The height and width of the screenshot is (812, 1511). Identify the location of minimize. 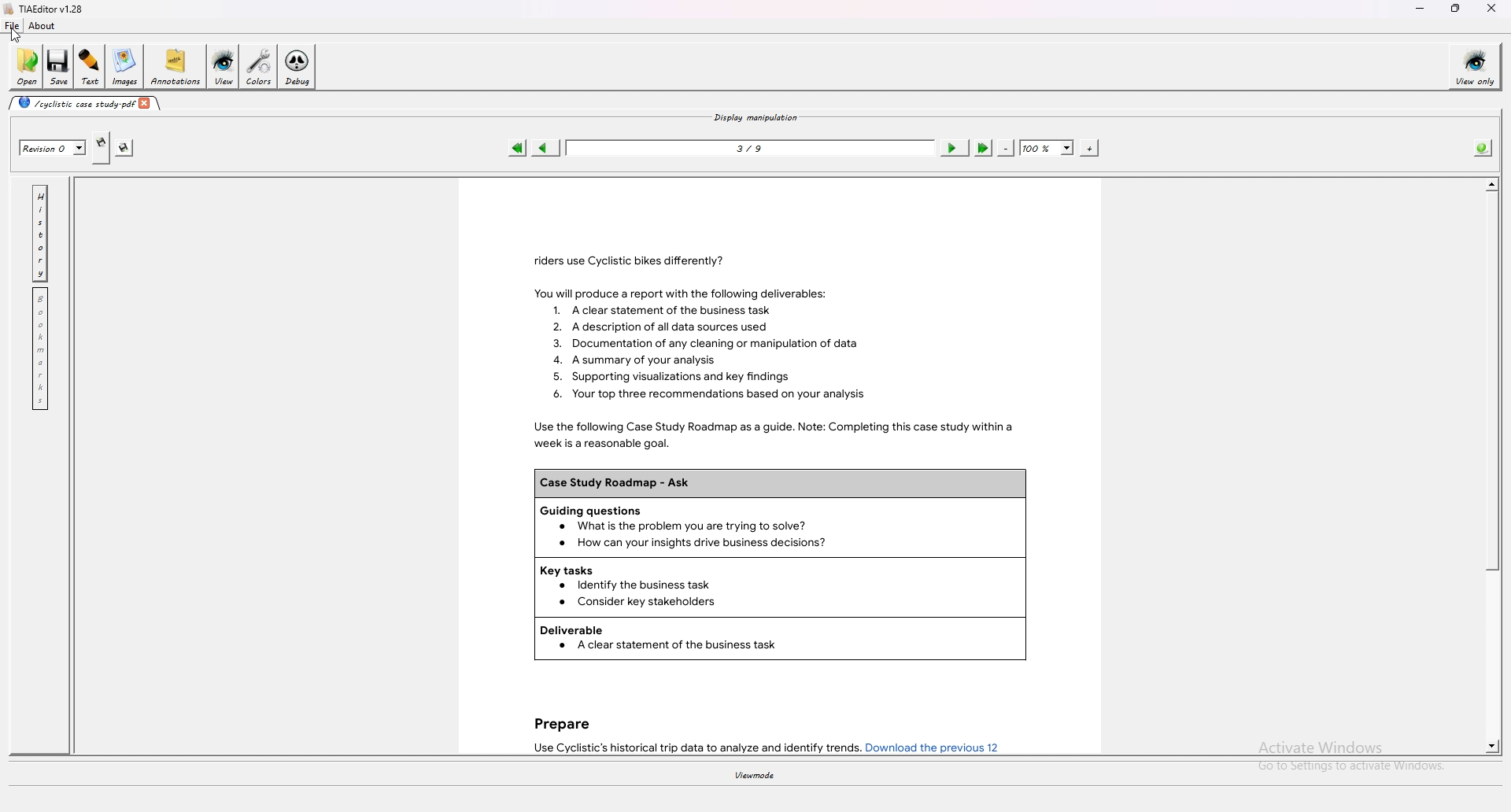
(1420, 9).